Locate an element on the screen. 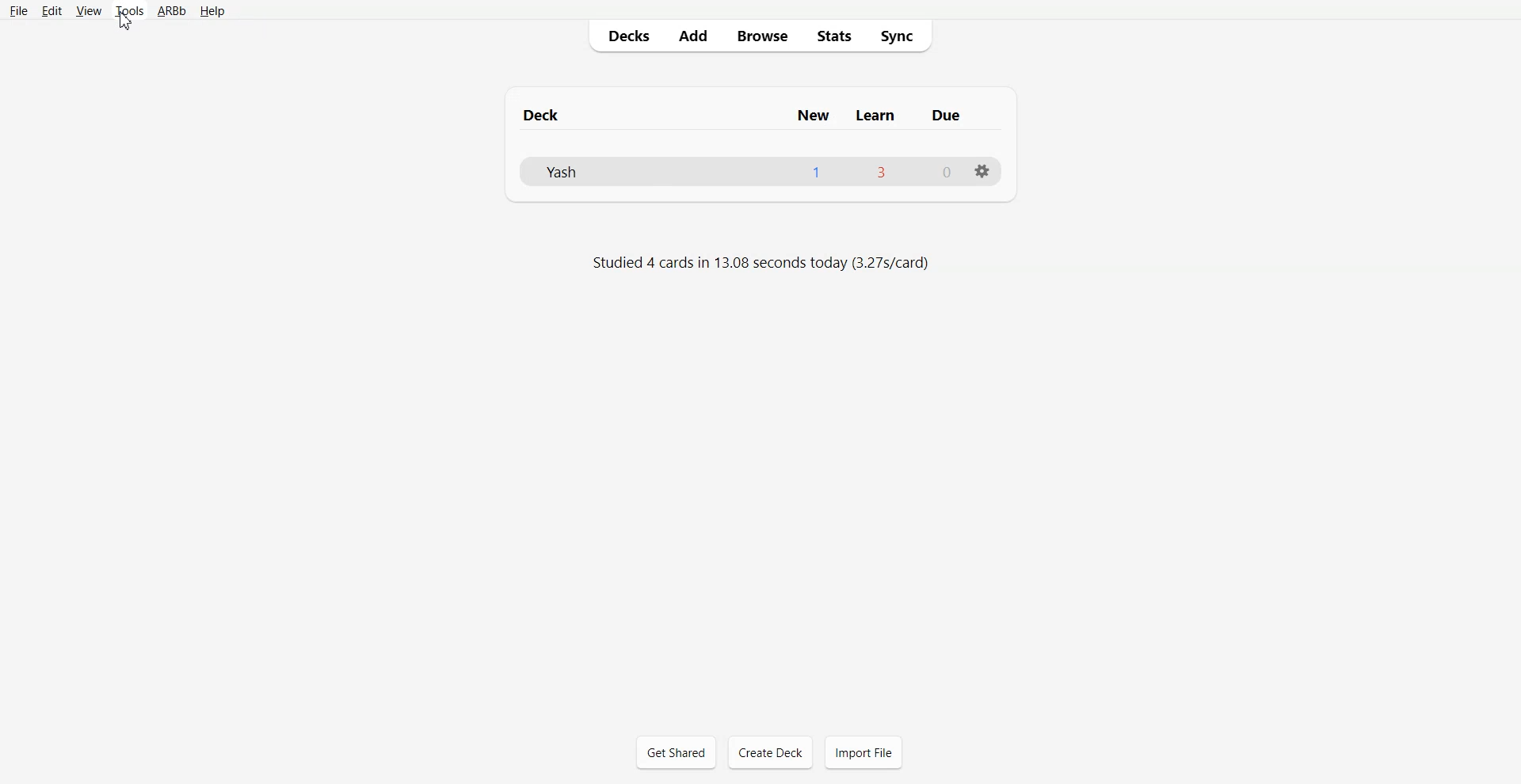 This screenshot has width=1521, height=784. Stats is located at coordinates (836, 35).